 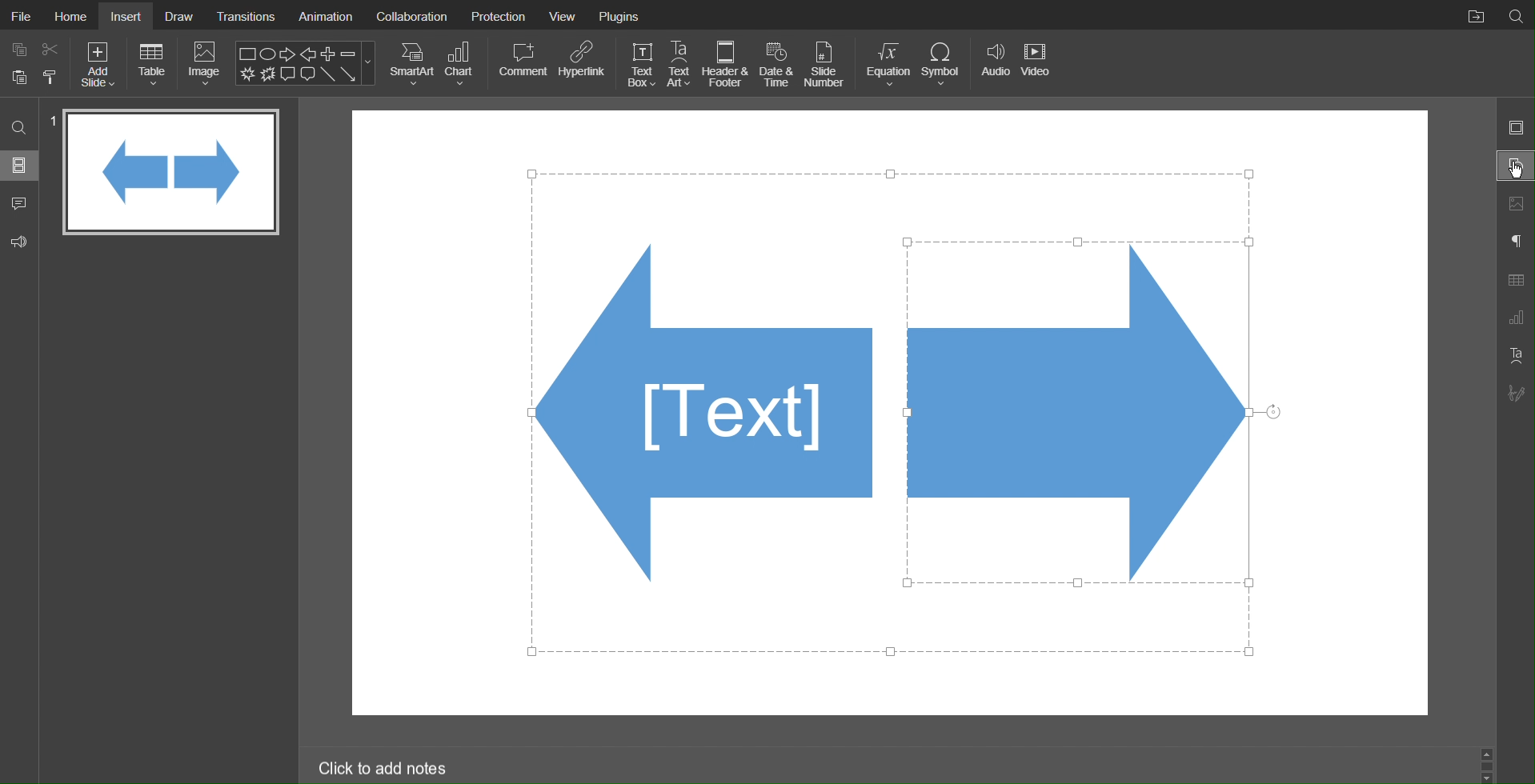 What do you see at coordinates (19, 14) in the screenshot?
I see `File ` at bounding box center [19, 14].